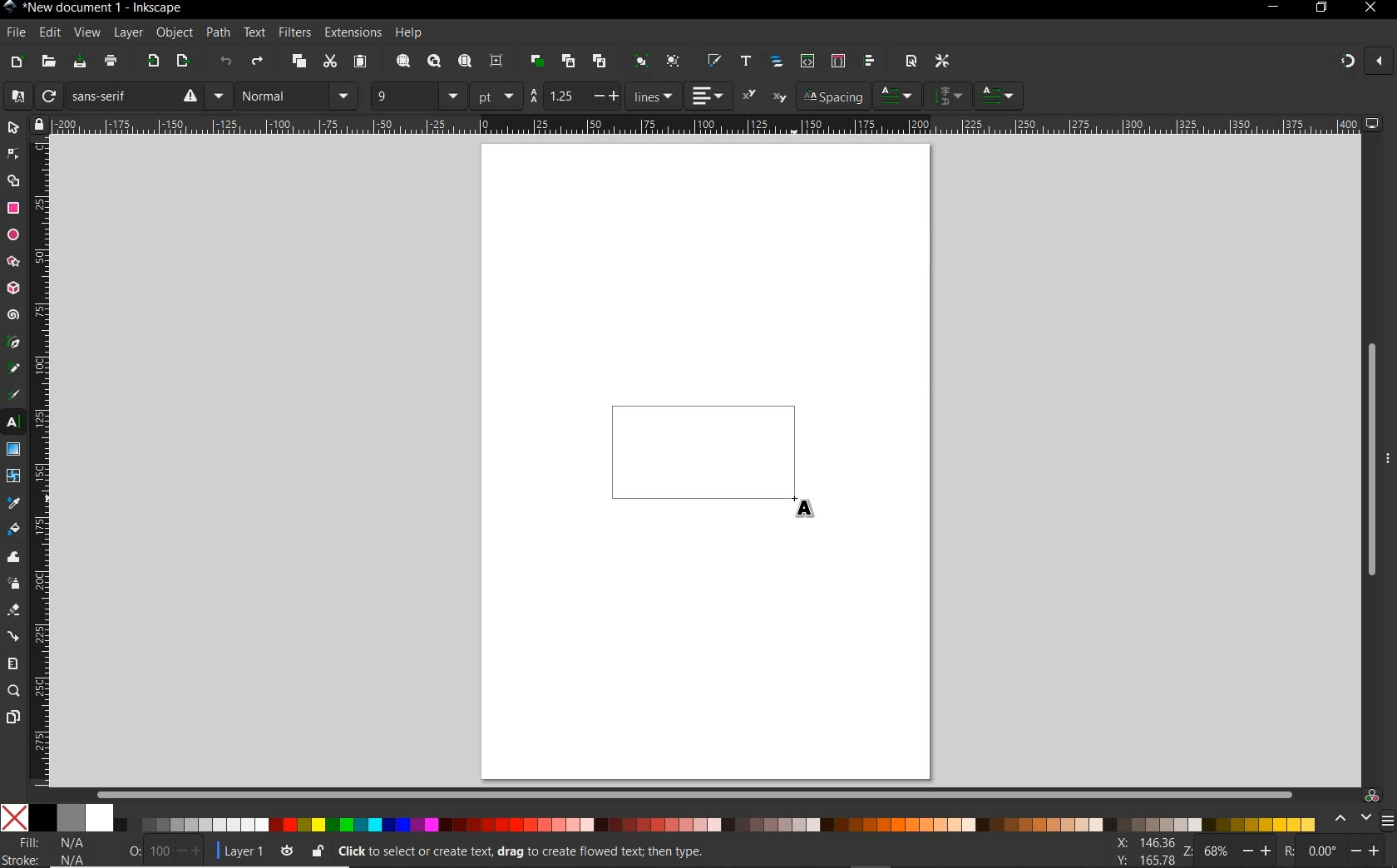 Image resolution: width=1397 pixels, height=868 pixels. Describe the element at coordinates (1322, 851) in the screenshot. I see `0` at that location.